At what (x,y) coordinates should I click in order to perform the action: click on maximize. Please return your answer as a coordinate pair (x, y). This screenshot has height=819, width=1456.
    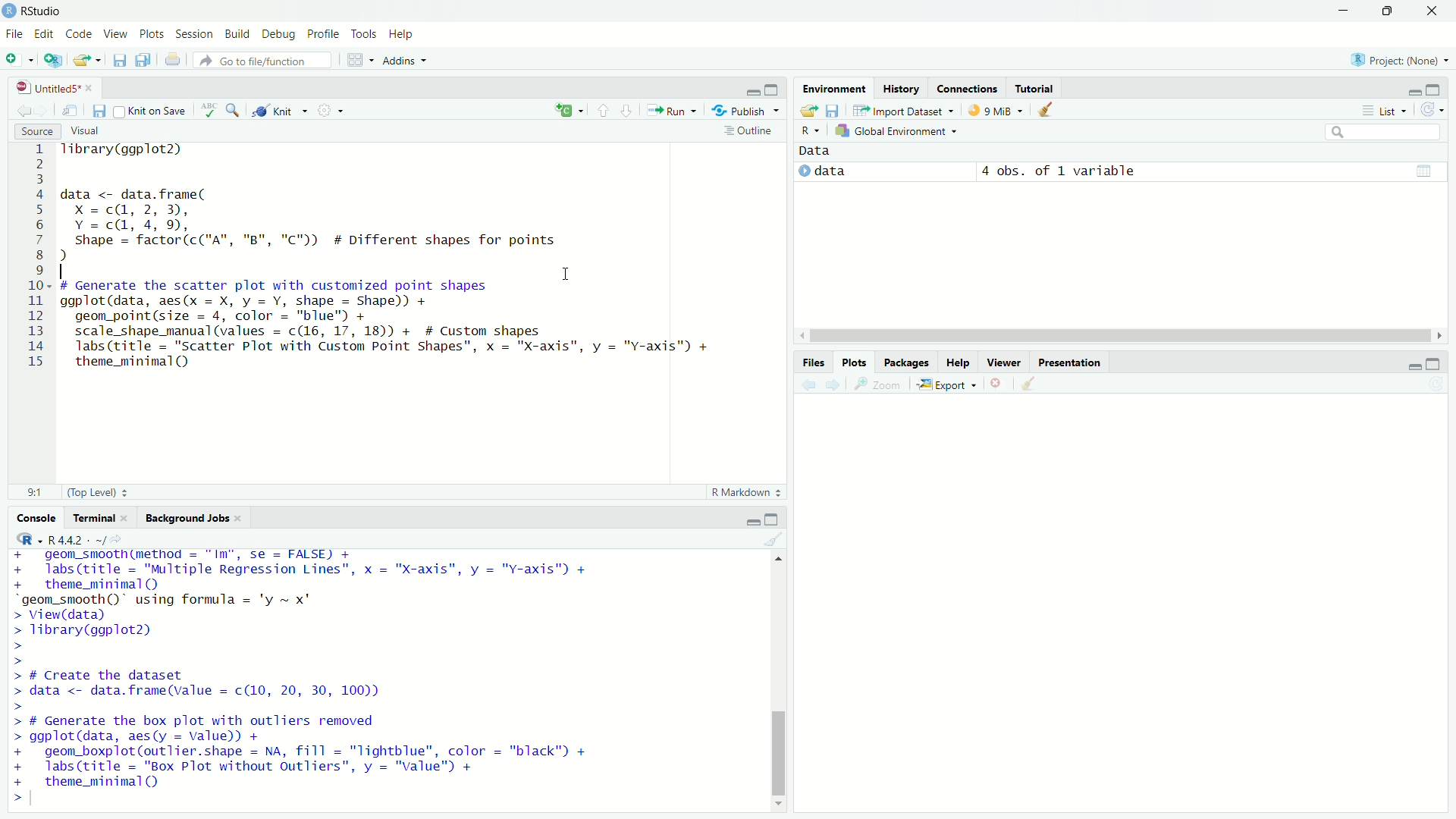
    Looking at the image, I should click on (1433, 89).